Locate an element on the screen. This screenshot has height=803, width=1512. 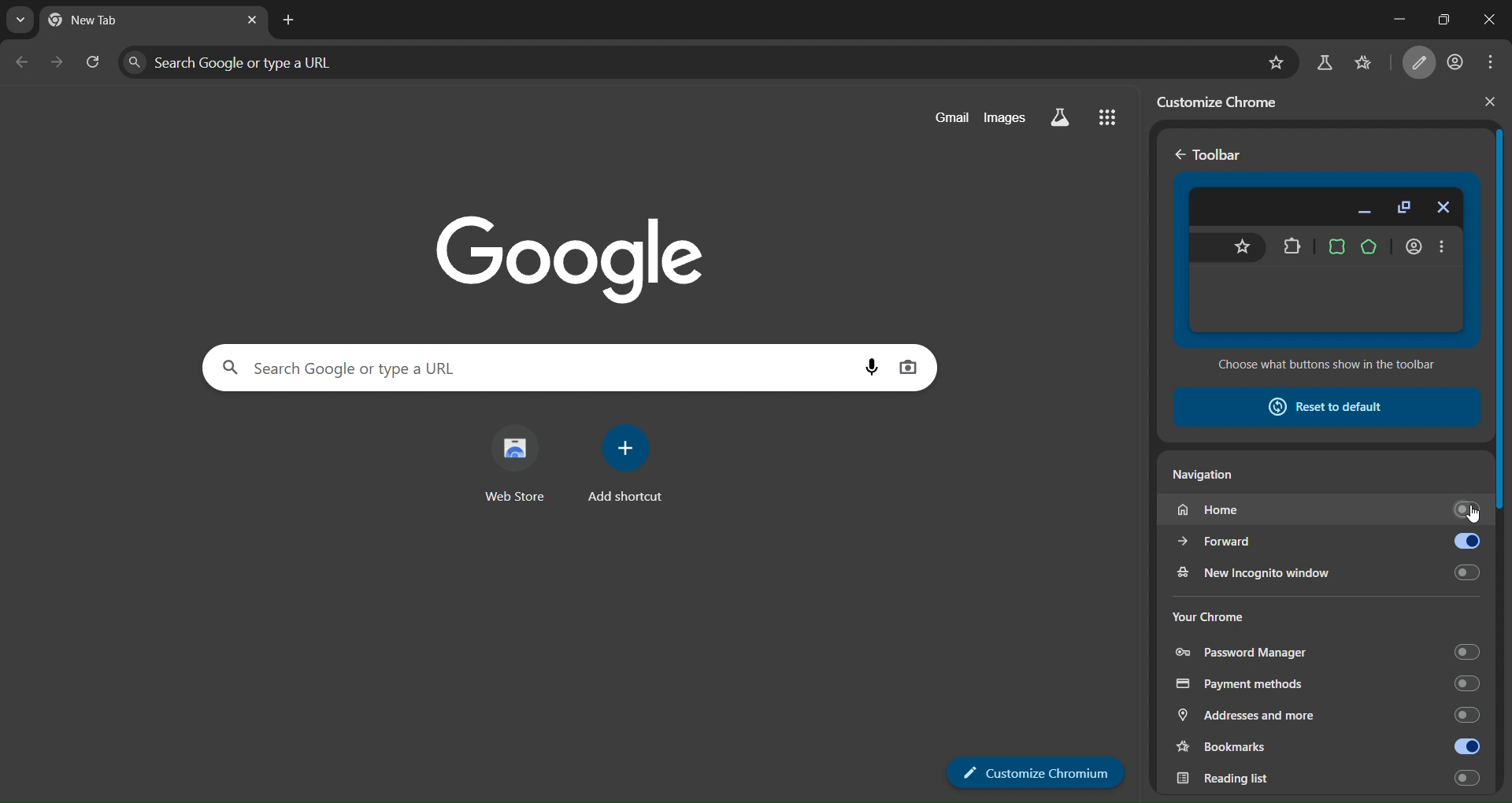
home is located at coordinates (1327, 510).